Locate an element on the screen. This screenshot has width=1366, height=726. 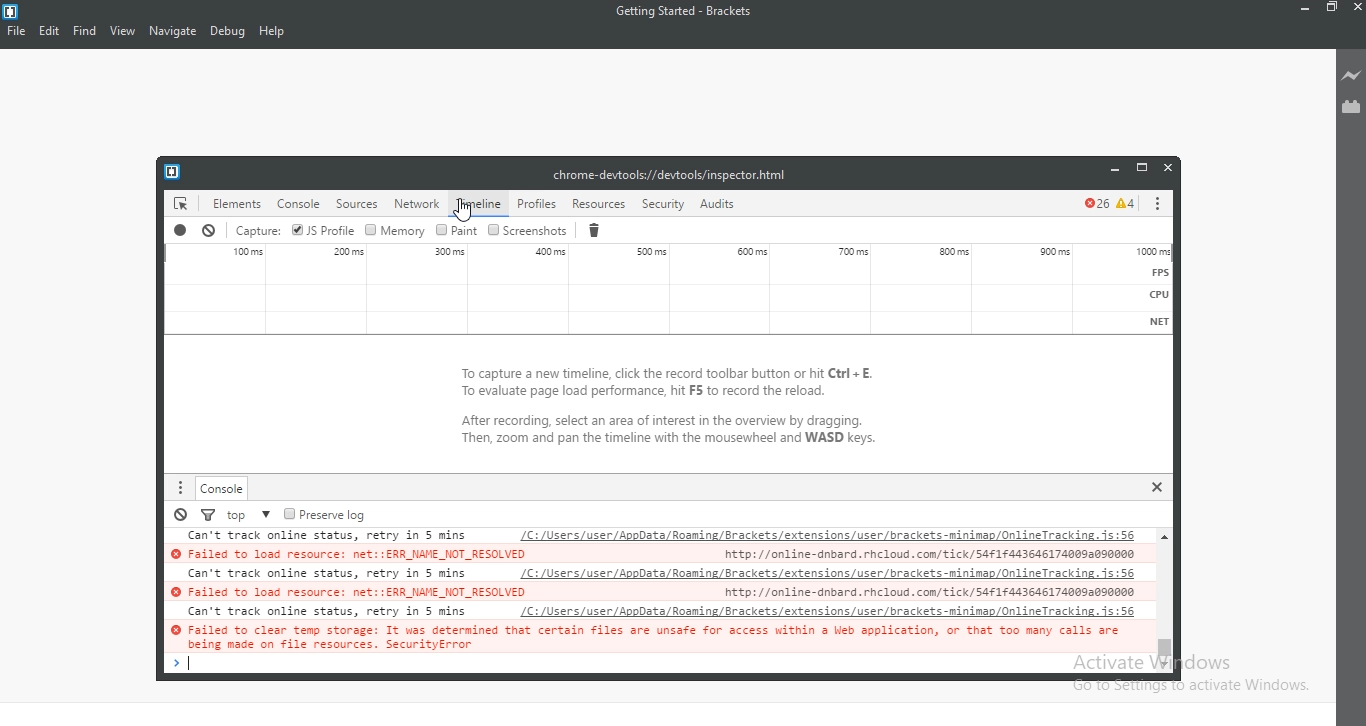
Close is located at coordinates (1357, 8).